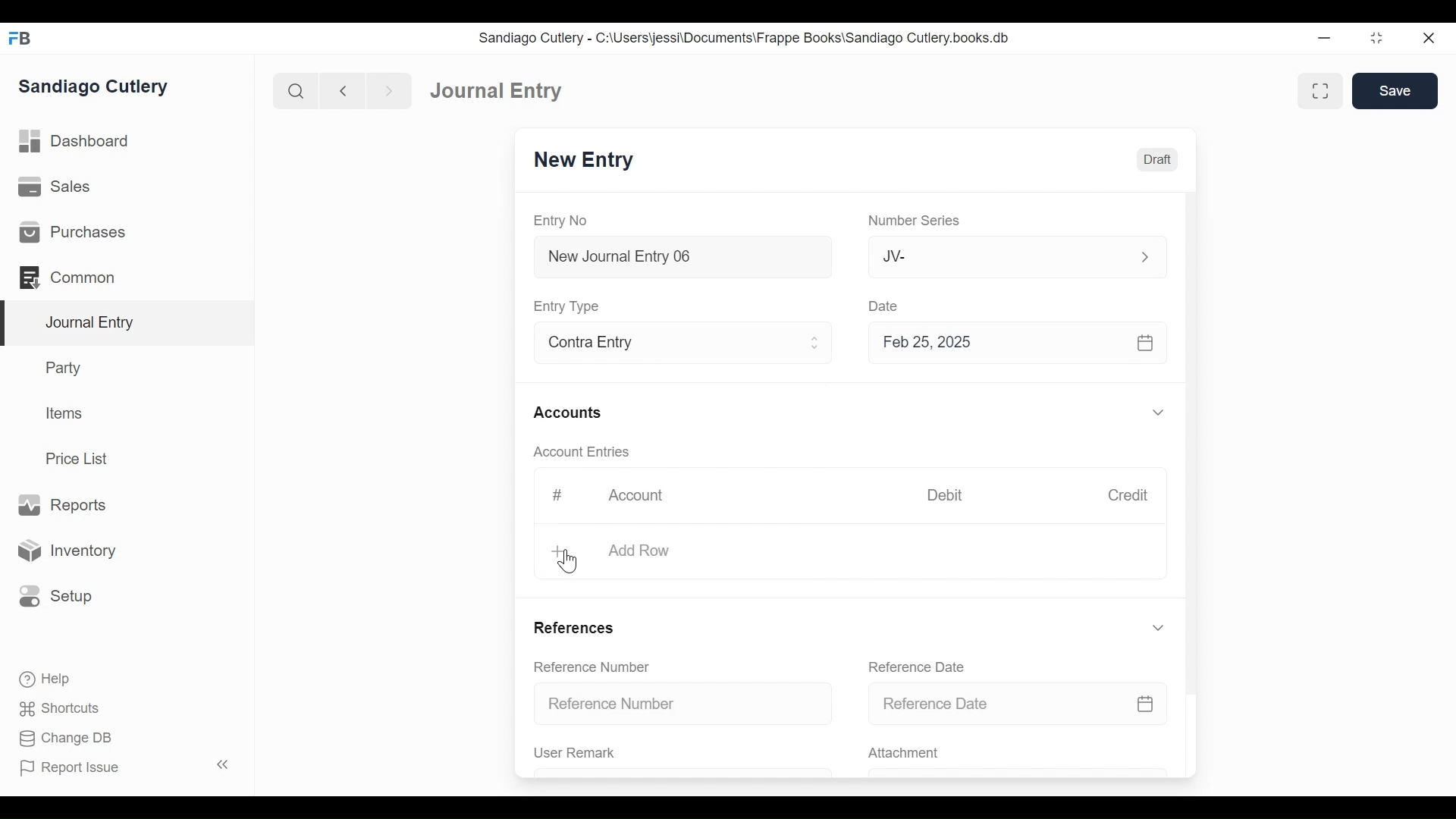 This screenshot has width=1456, height=819. What do you see at coordinates (64, 551) in the screenshot?
I see `Inventory` at bounding box center [64, 551].